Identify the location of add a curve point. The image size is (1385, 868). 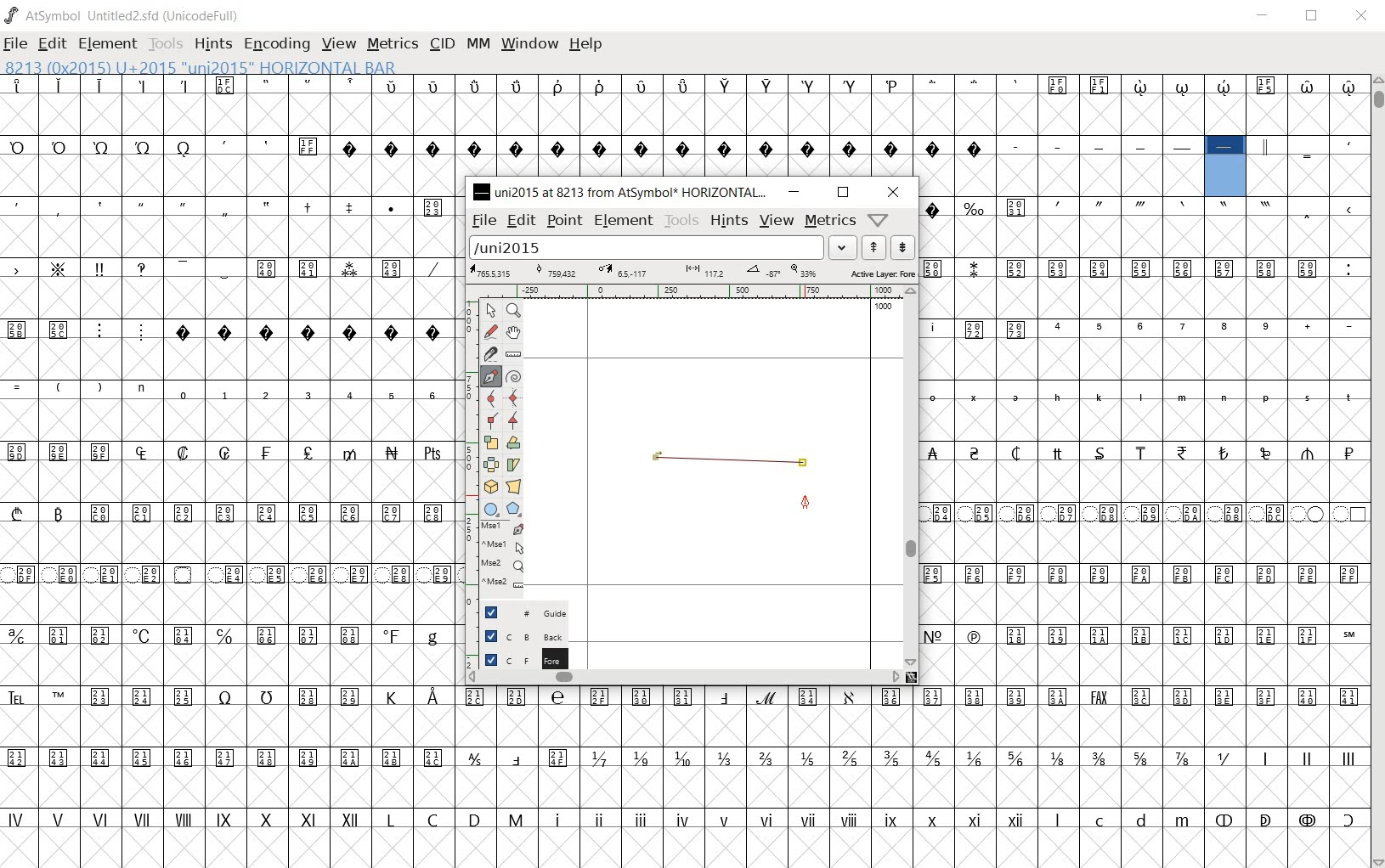
(490, 398).